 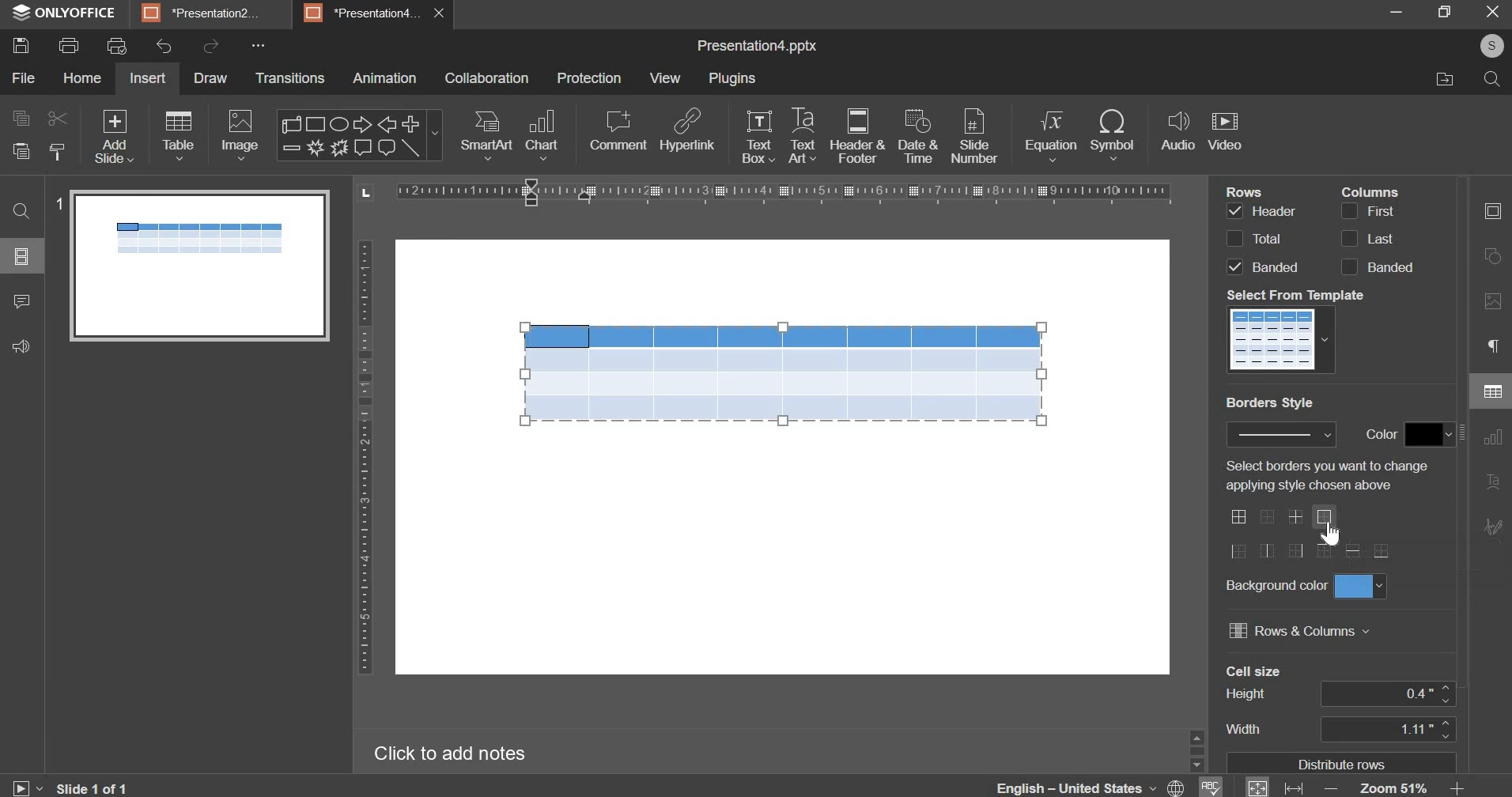 I want to click on shape settings, so click(x=1491, y=254).